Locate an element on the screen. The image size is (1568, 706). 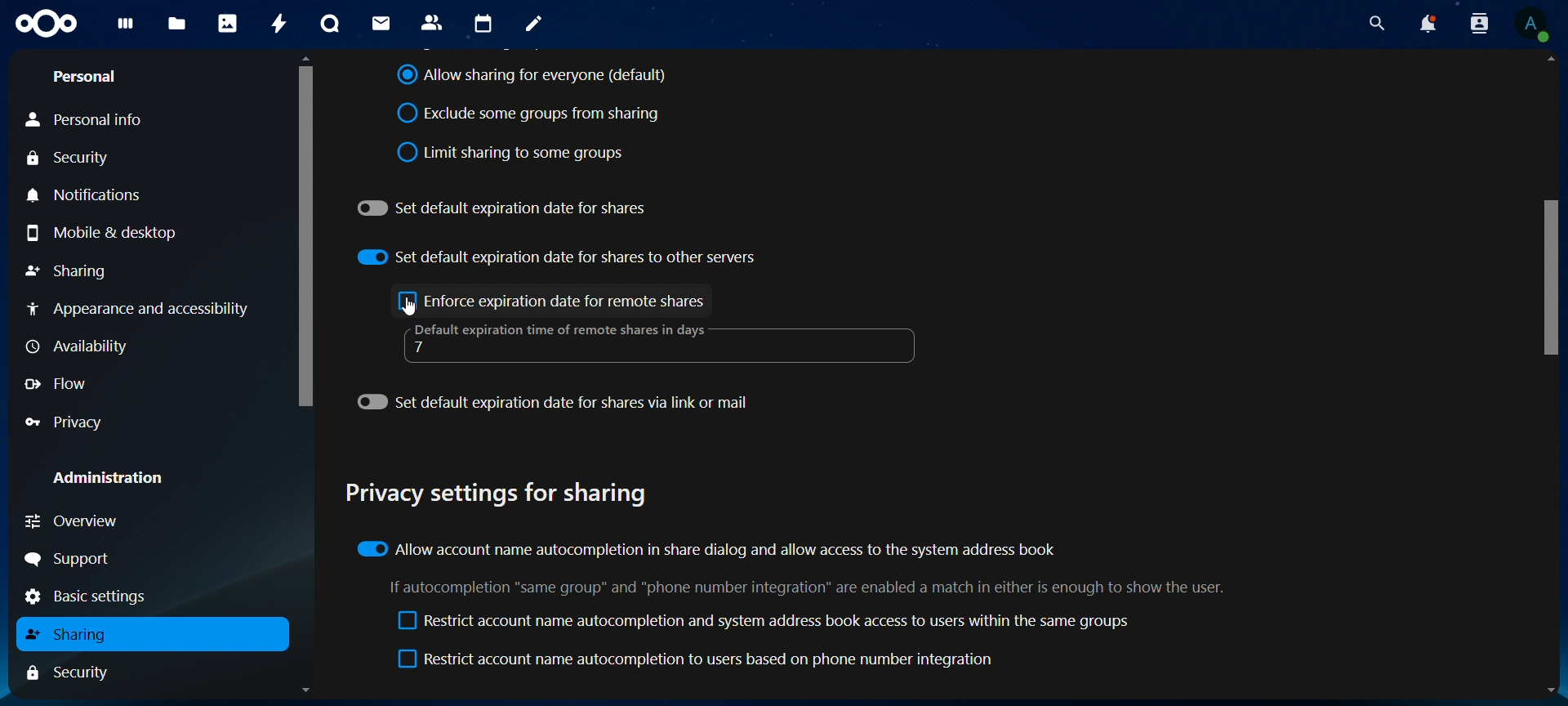
calendar is located at coordinates (482, 25).